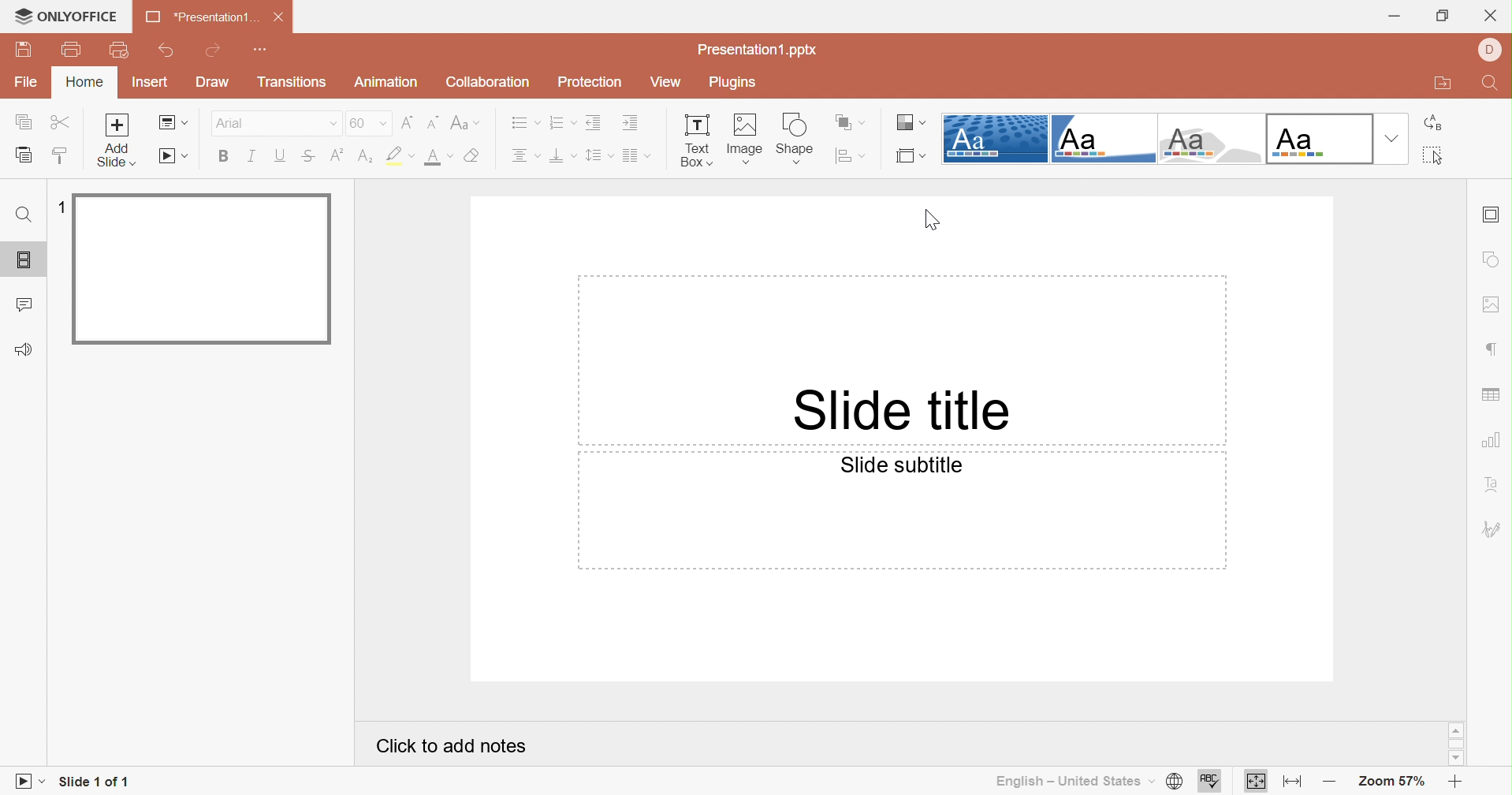 This screenshot has width=1512, height=795. I want to click on Slide title, so click(897, 412).